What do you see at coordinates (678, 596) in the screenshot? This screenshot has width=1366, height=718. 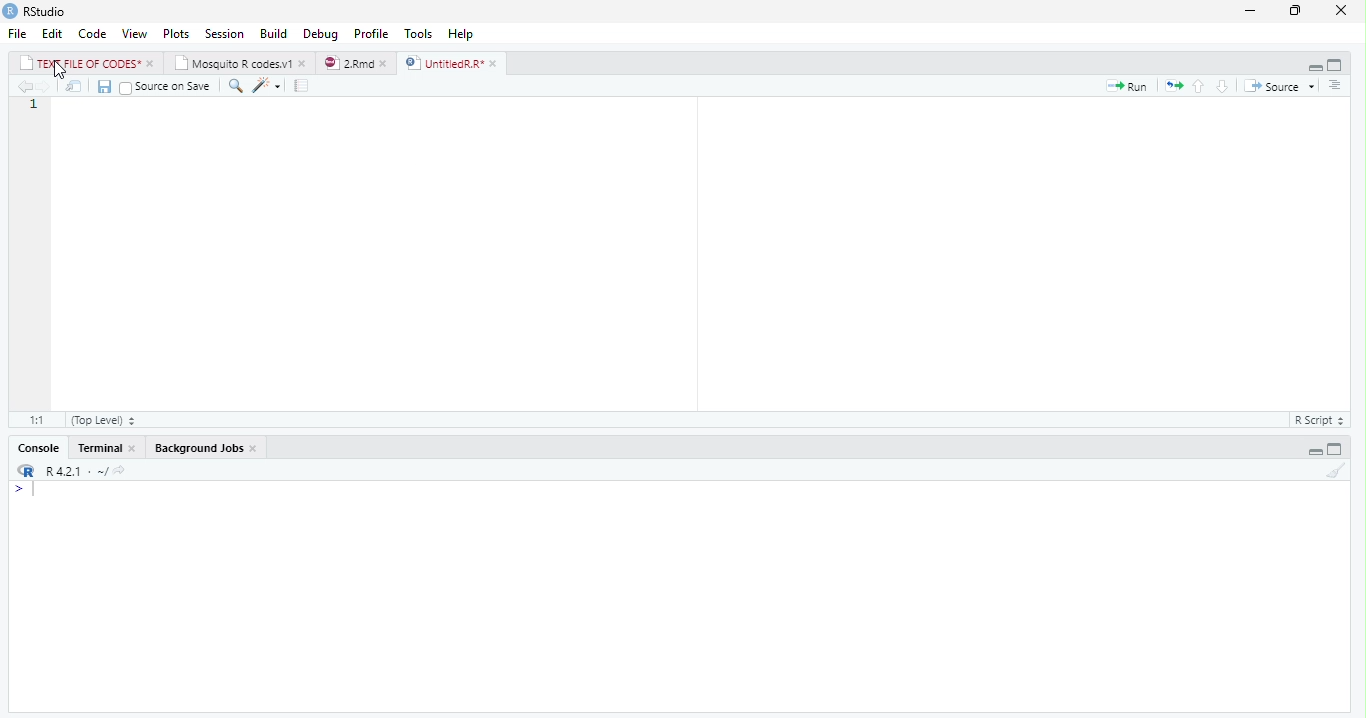 I see `Console` at bounding box center [678, 596].